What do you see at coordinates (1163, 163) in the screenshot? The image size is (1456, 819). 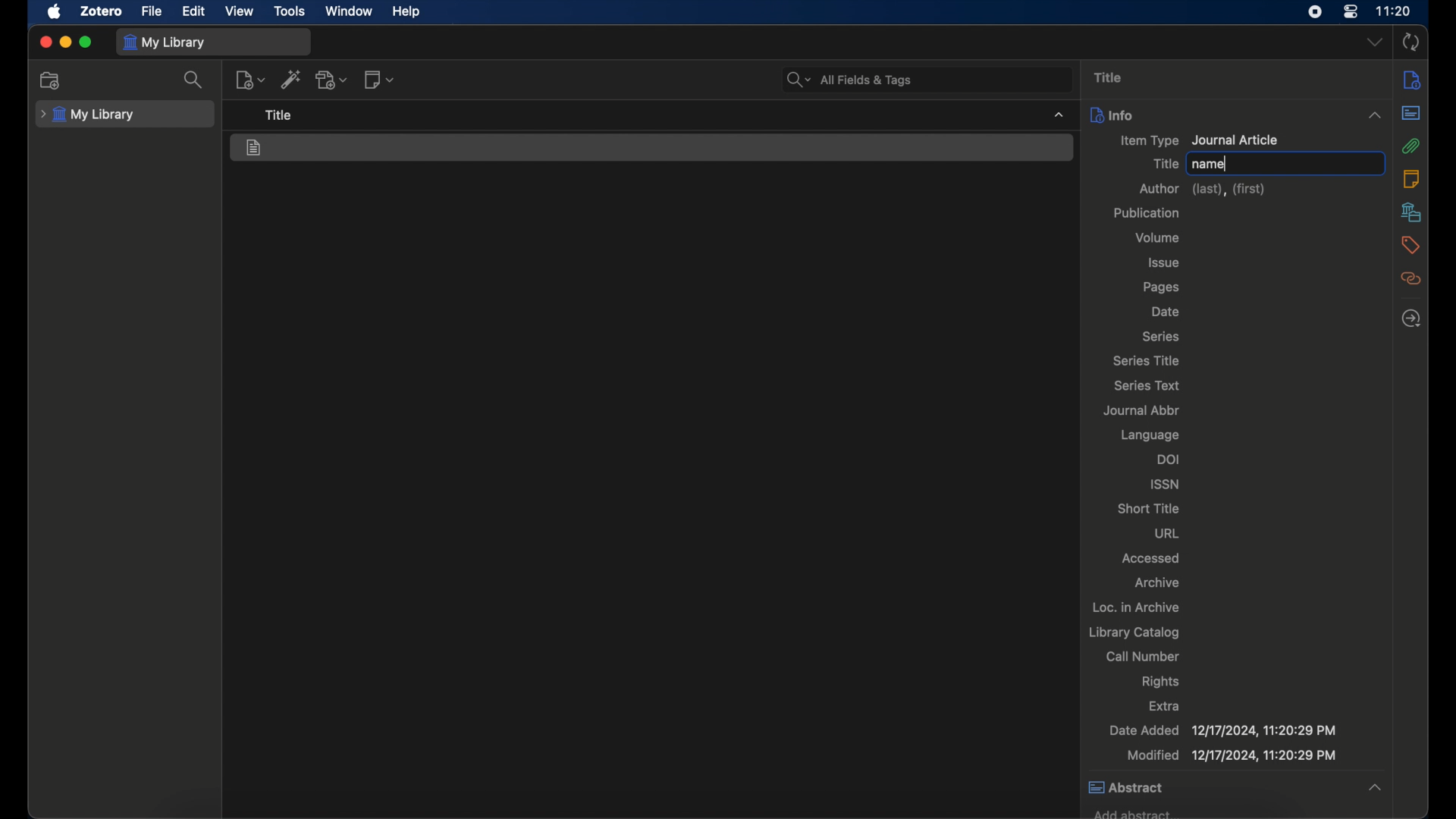 I see `title` at bounding box center [1163, 163].